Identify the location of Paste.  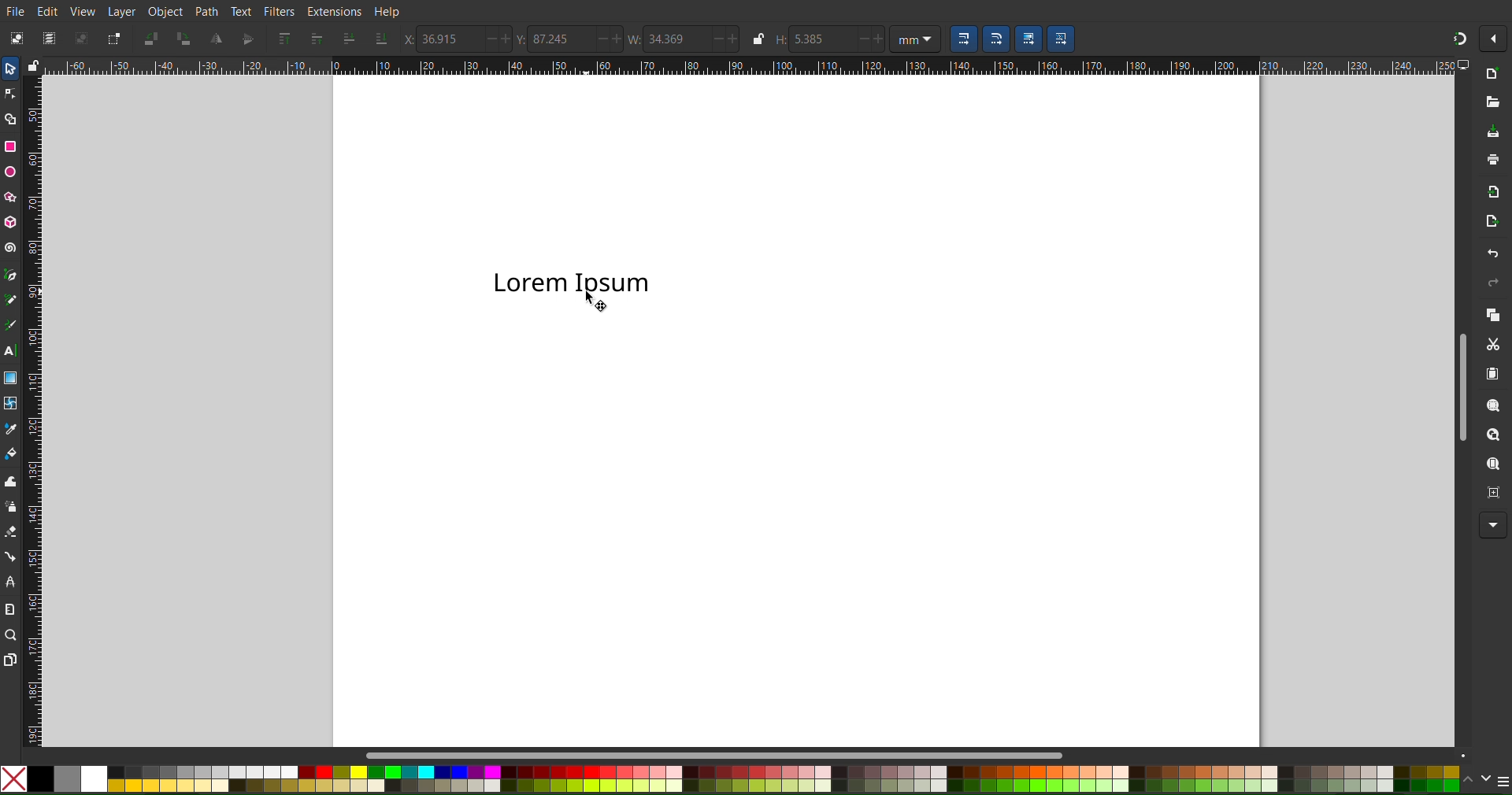
(1492, 378).